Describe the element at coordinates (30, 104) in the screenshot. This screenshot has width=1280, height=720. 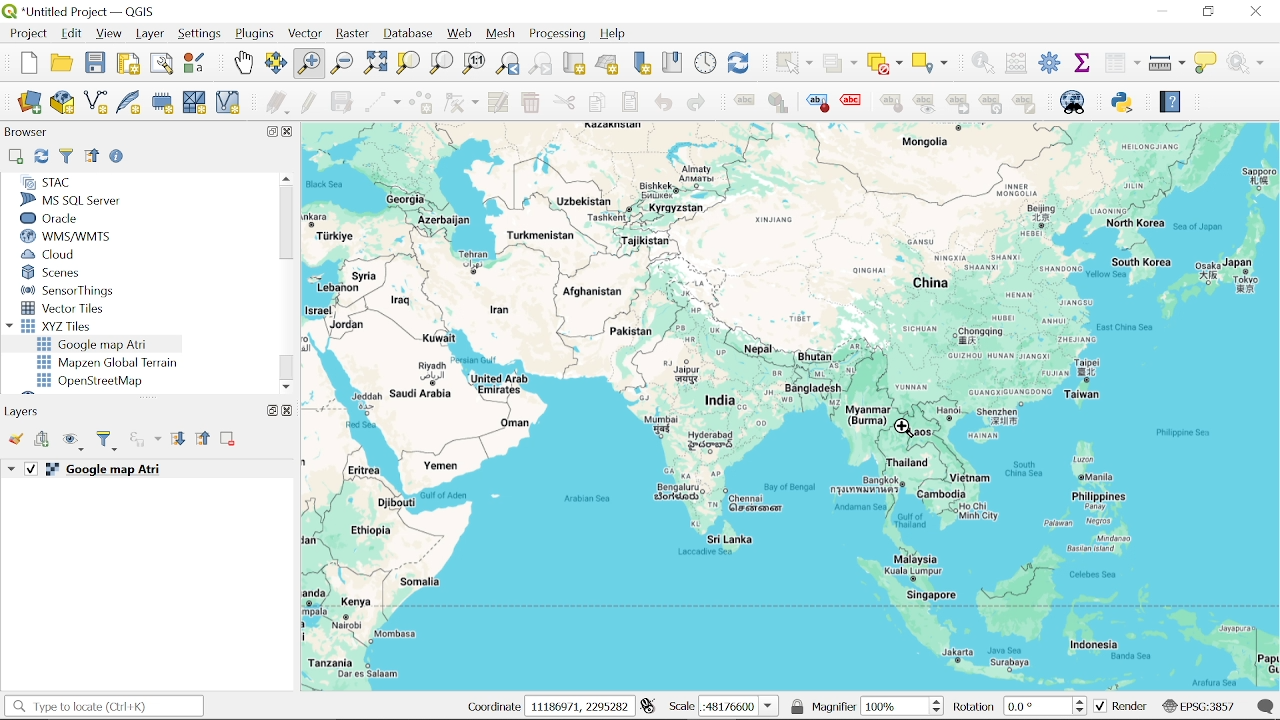
I see `Open data source mang` at that location.